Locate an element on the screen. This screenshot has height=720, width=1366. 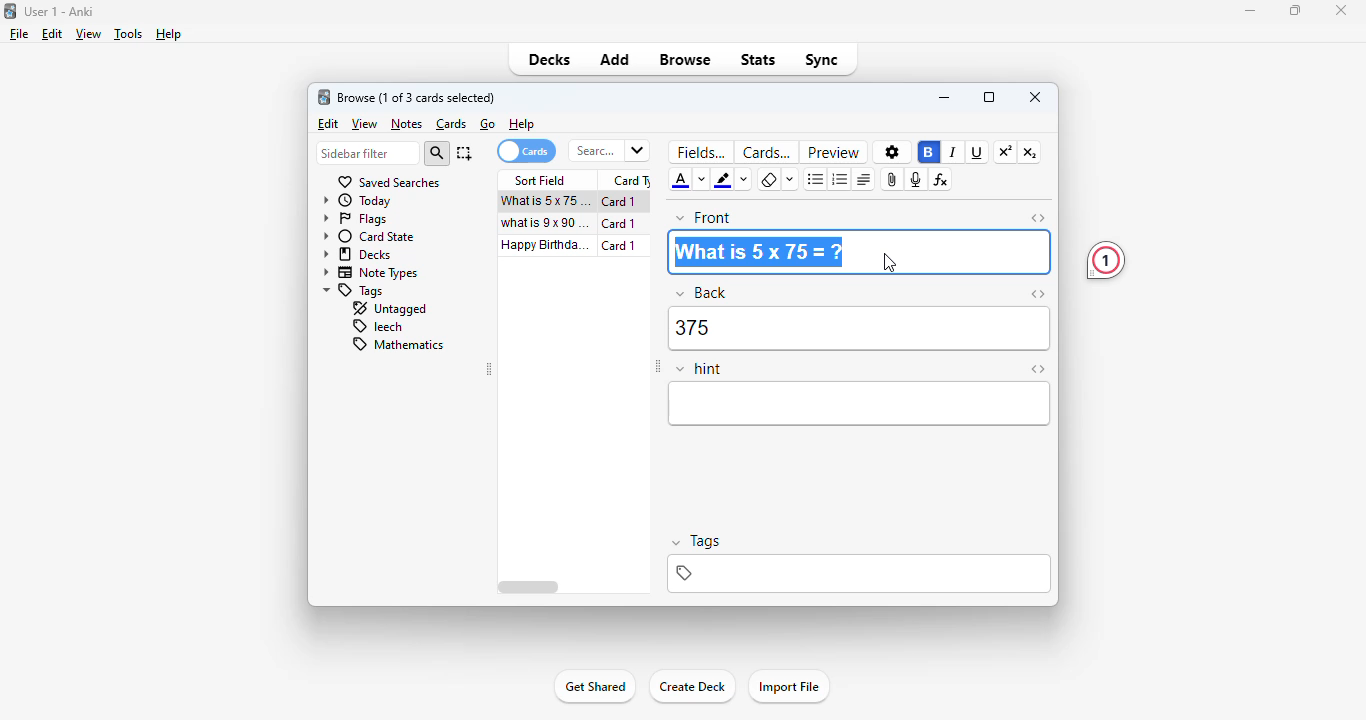
file is located at coordinates (20, 34).